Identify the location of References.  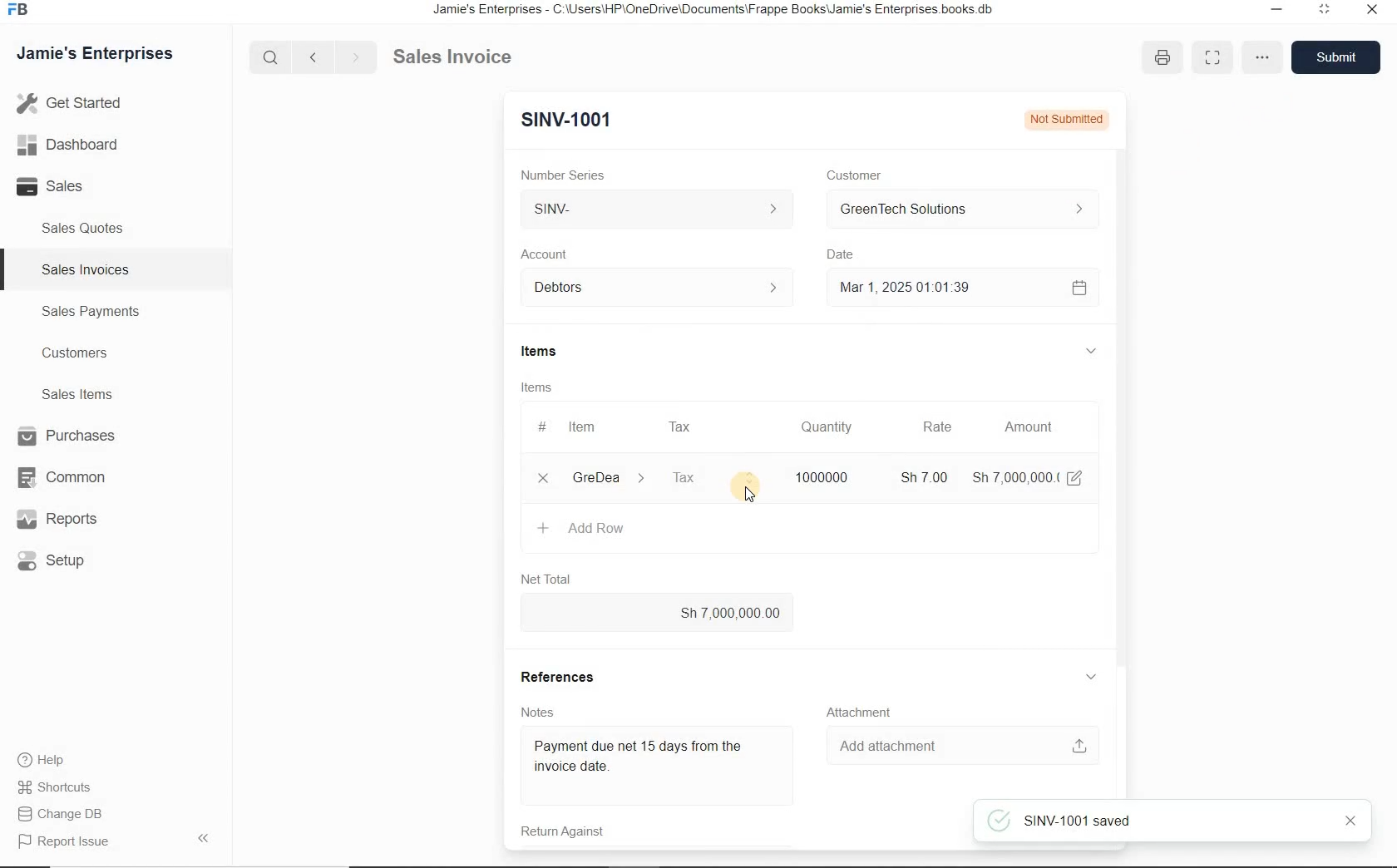
(562, 674).